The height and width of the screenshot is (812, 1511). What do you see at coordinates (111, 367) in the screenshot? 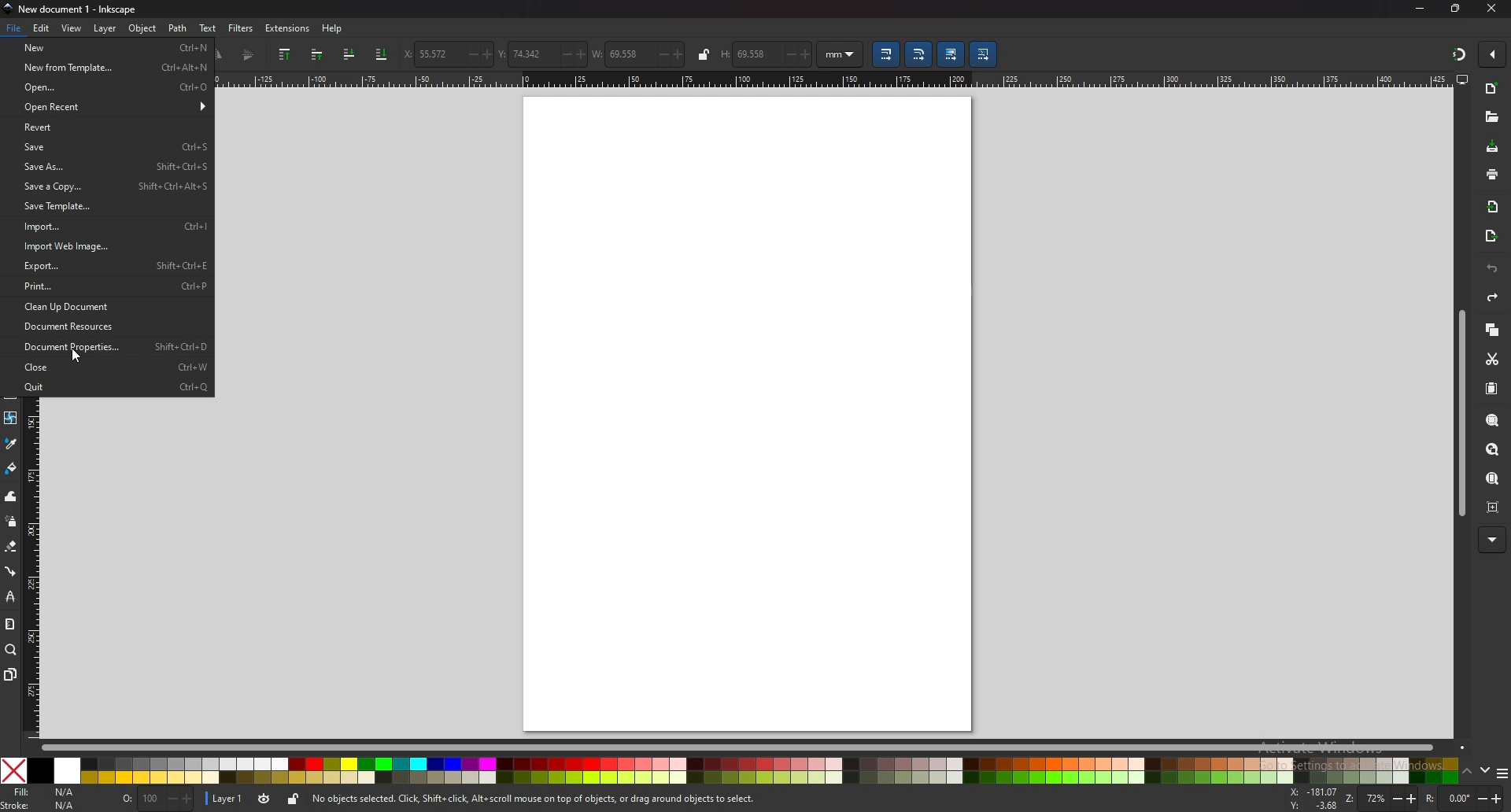
I see `close` at bounding box center [111, 367].